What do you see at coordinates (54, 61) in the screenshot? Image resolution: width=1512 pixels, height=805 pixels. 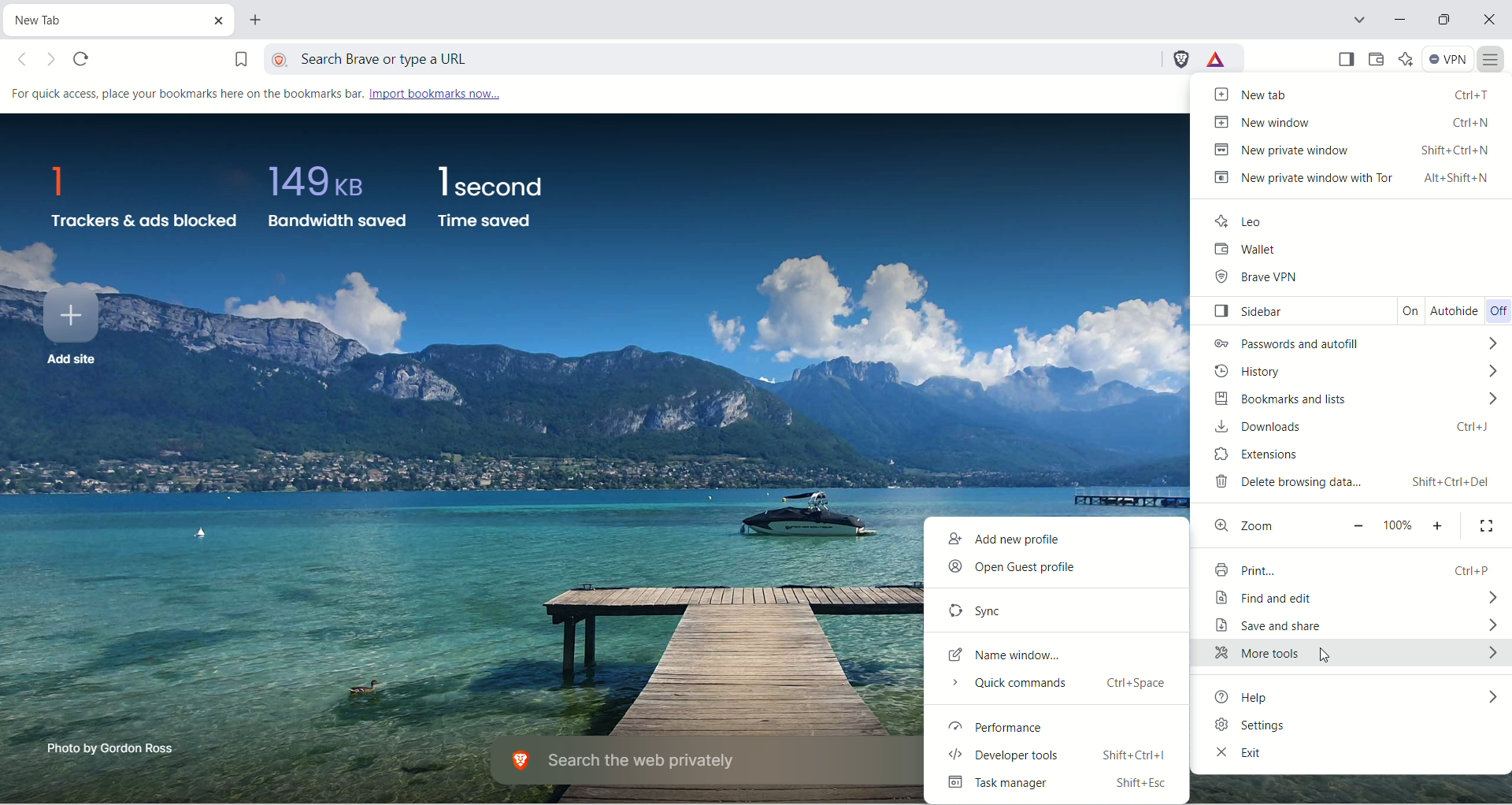 I see `go forward` at bounding box center [54, 61].